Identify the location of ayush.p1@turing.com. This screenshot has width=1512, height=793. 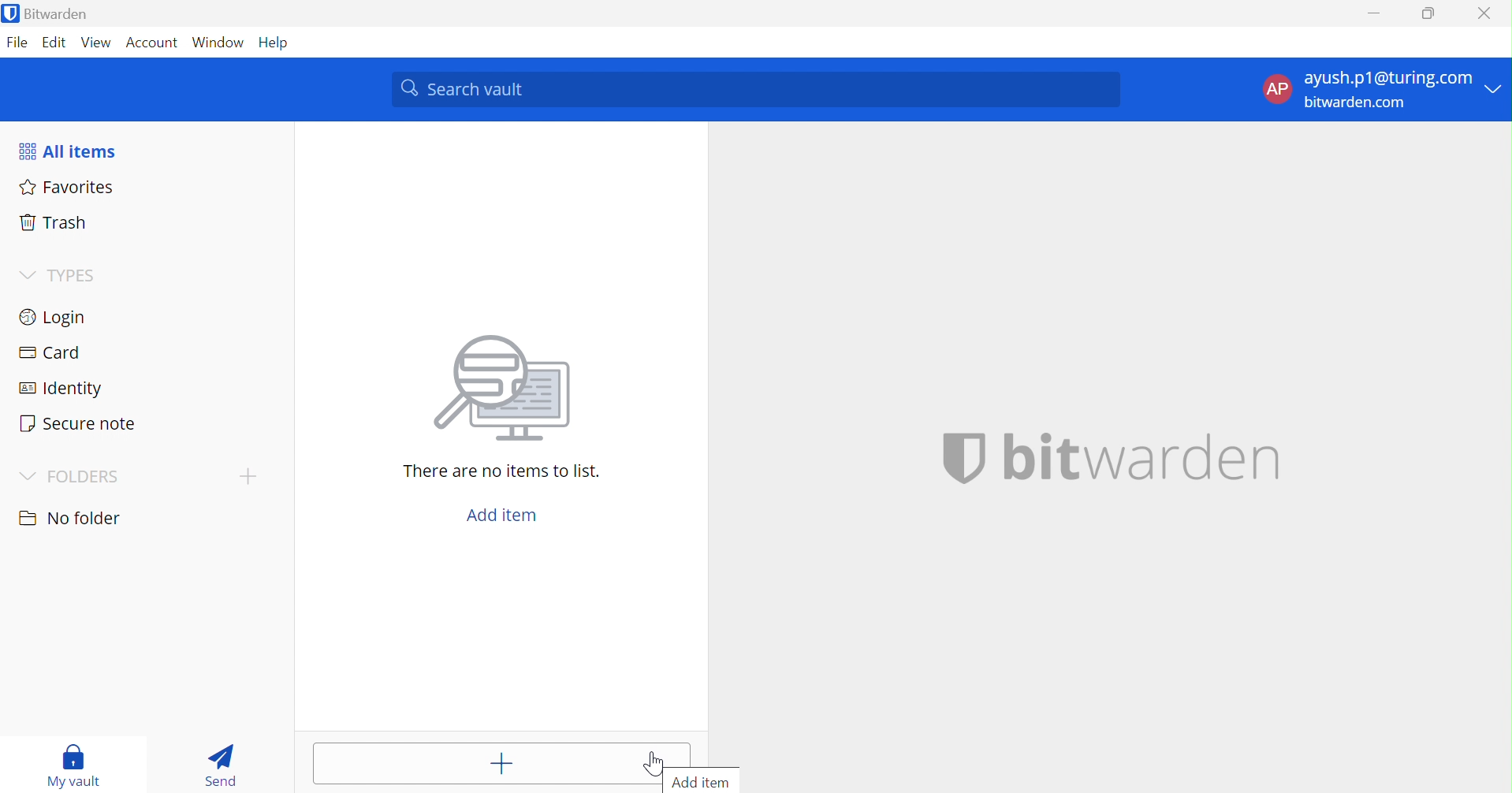
(1387, 76).